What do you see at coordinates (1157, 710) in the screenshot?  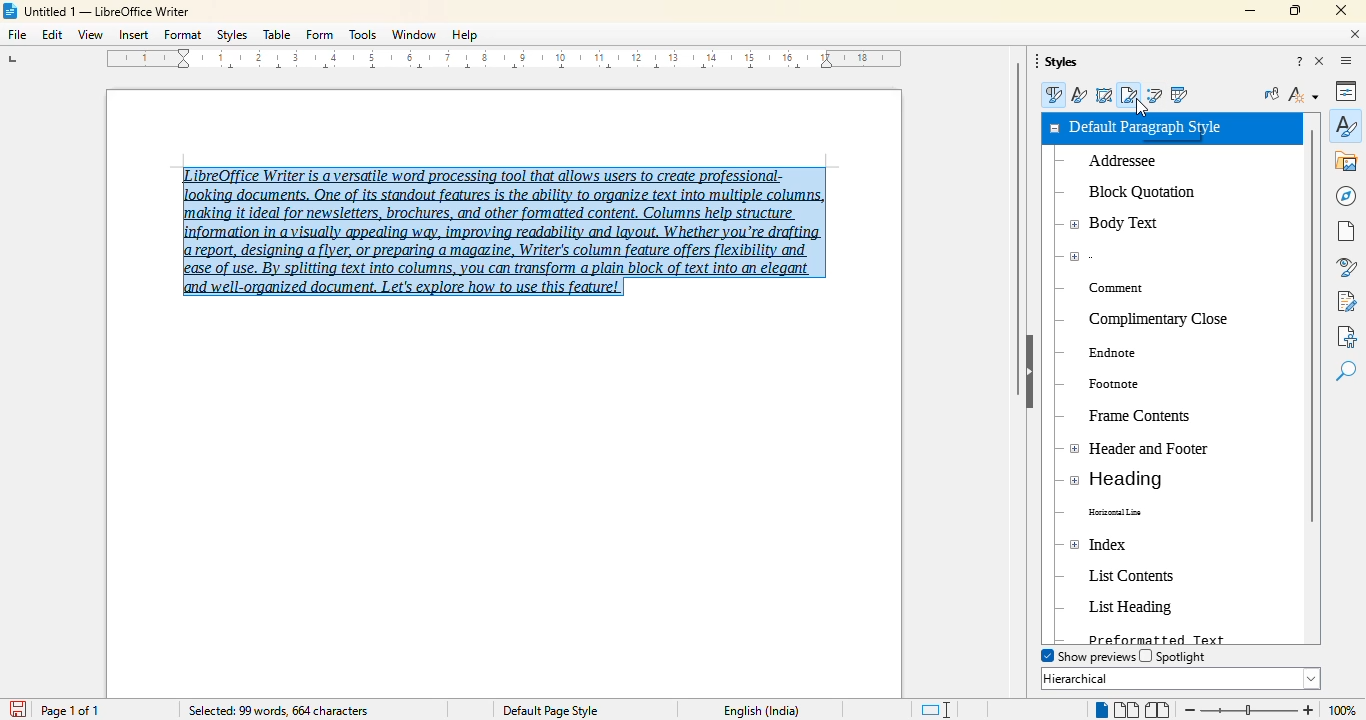 I see `book view` at bounding box center [1157, 710].